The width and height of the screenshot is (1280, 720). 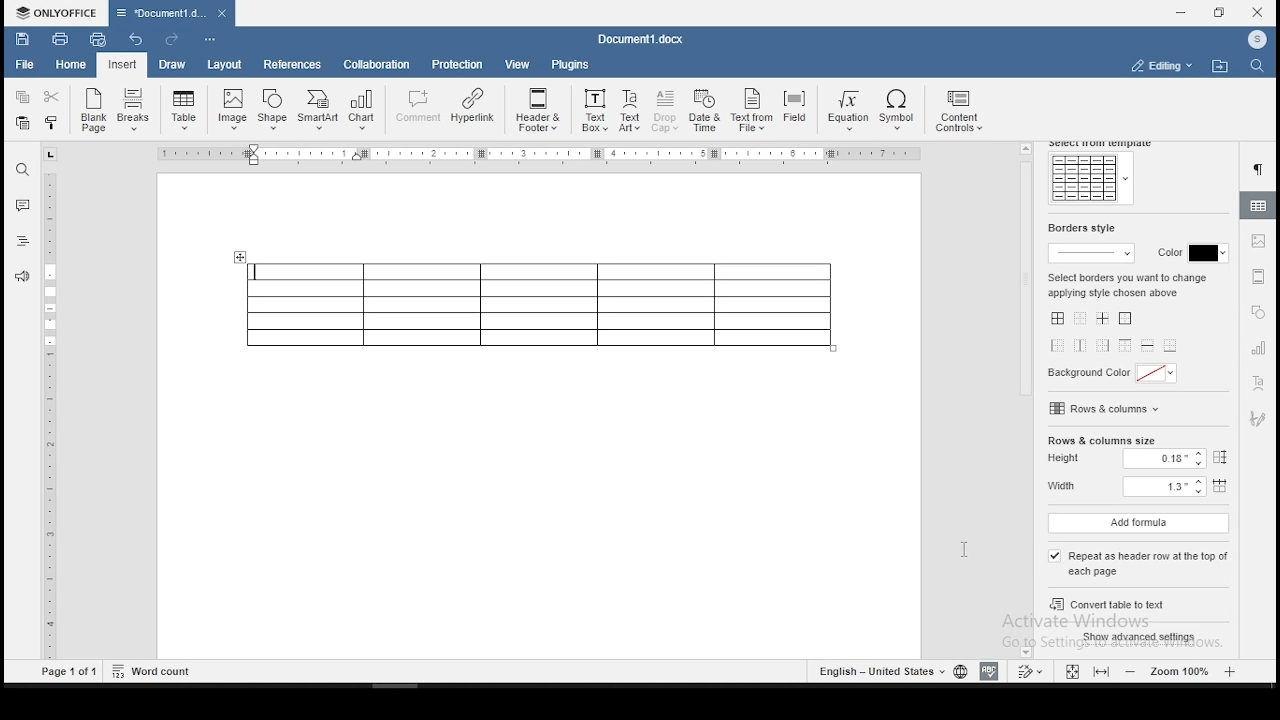 I want to click on text art settings, so click(x=1258, y=385).